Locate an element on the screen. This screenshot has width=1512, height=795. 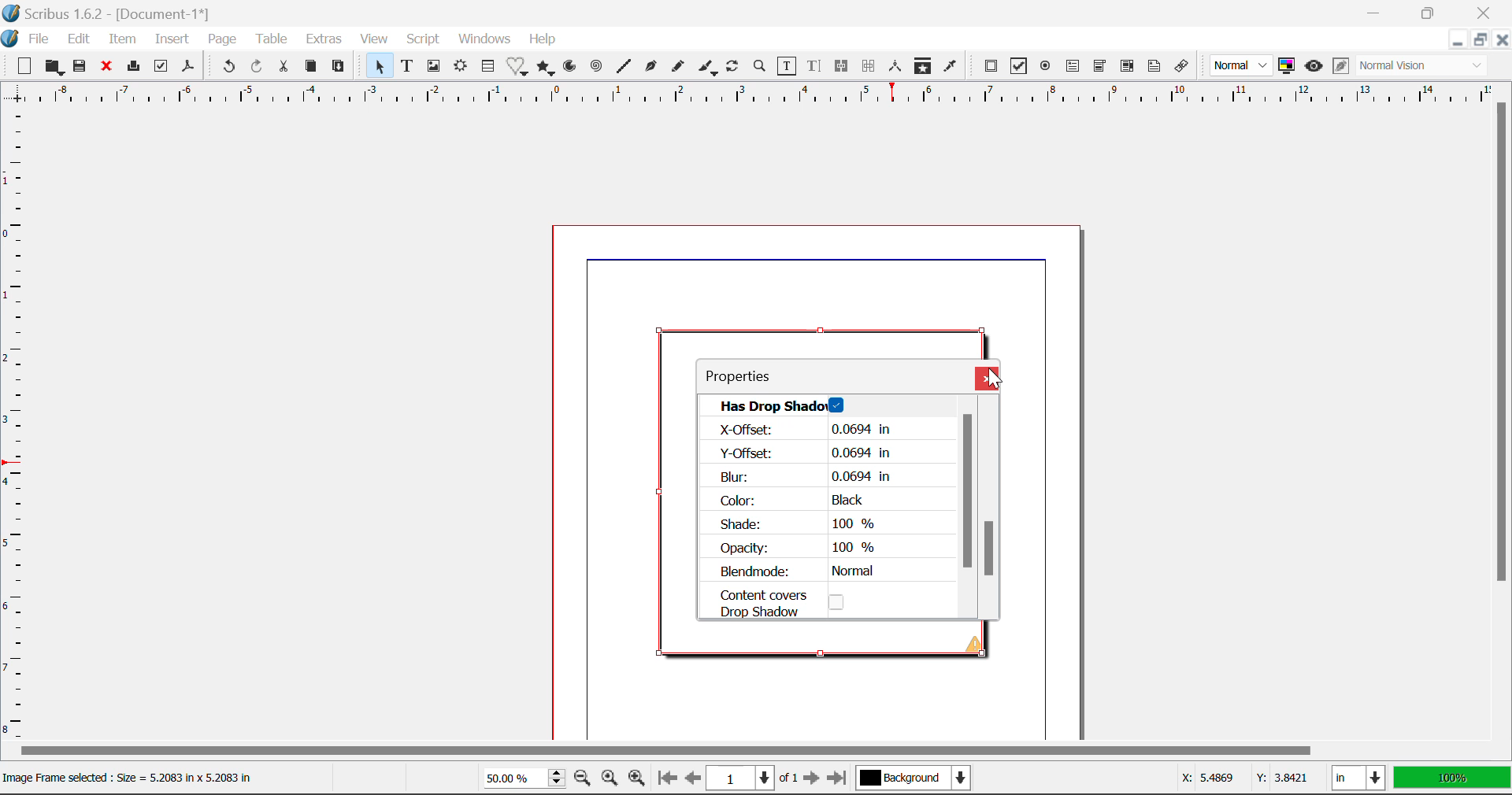
Edit Contents of Frame is located at coordinates (788, 68).